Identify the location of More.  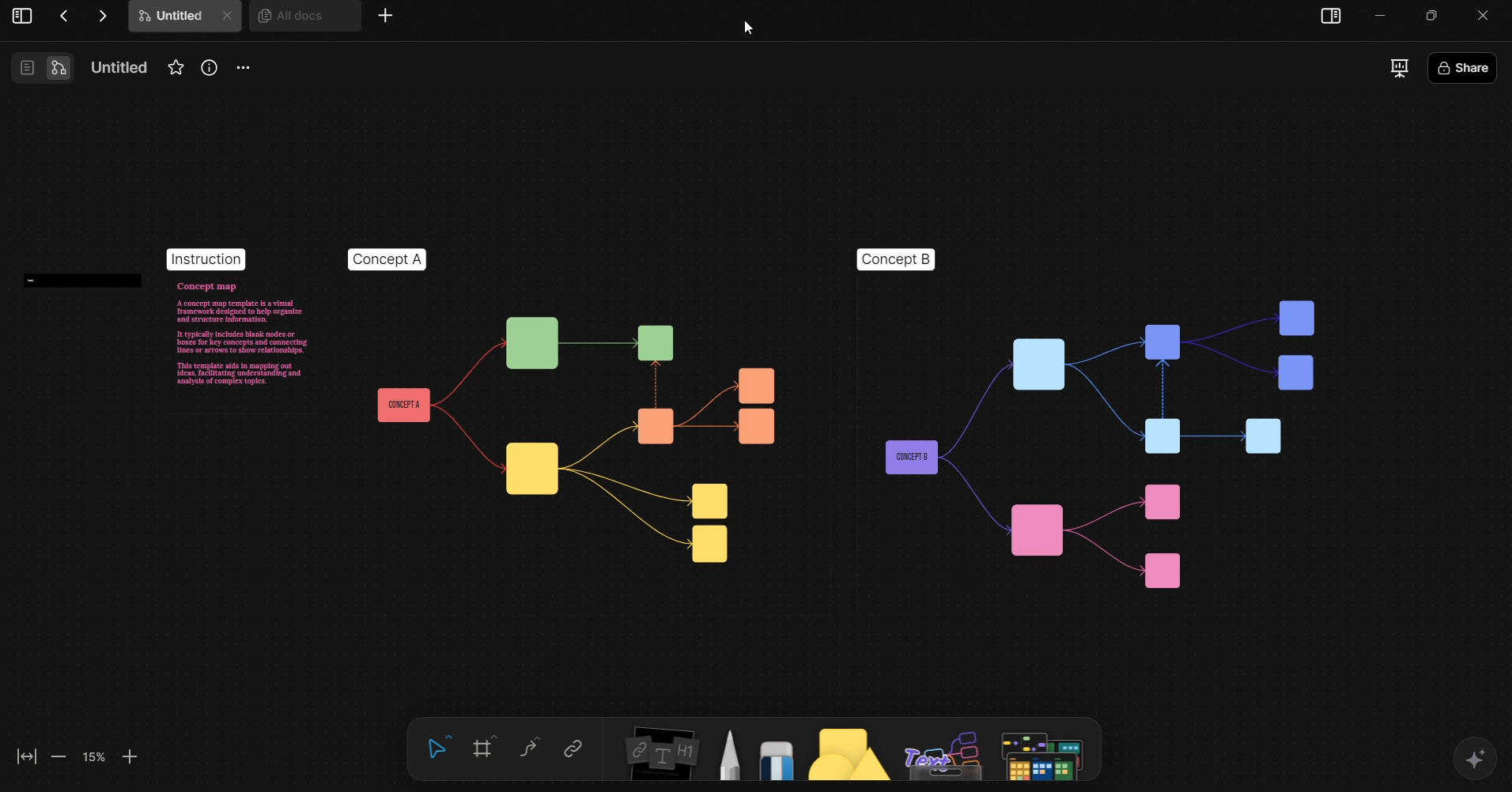
(386, 17).